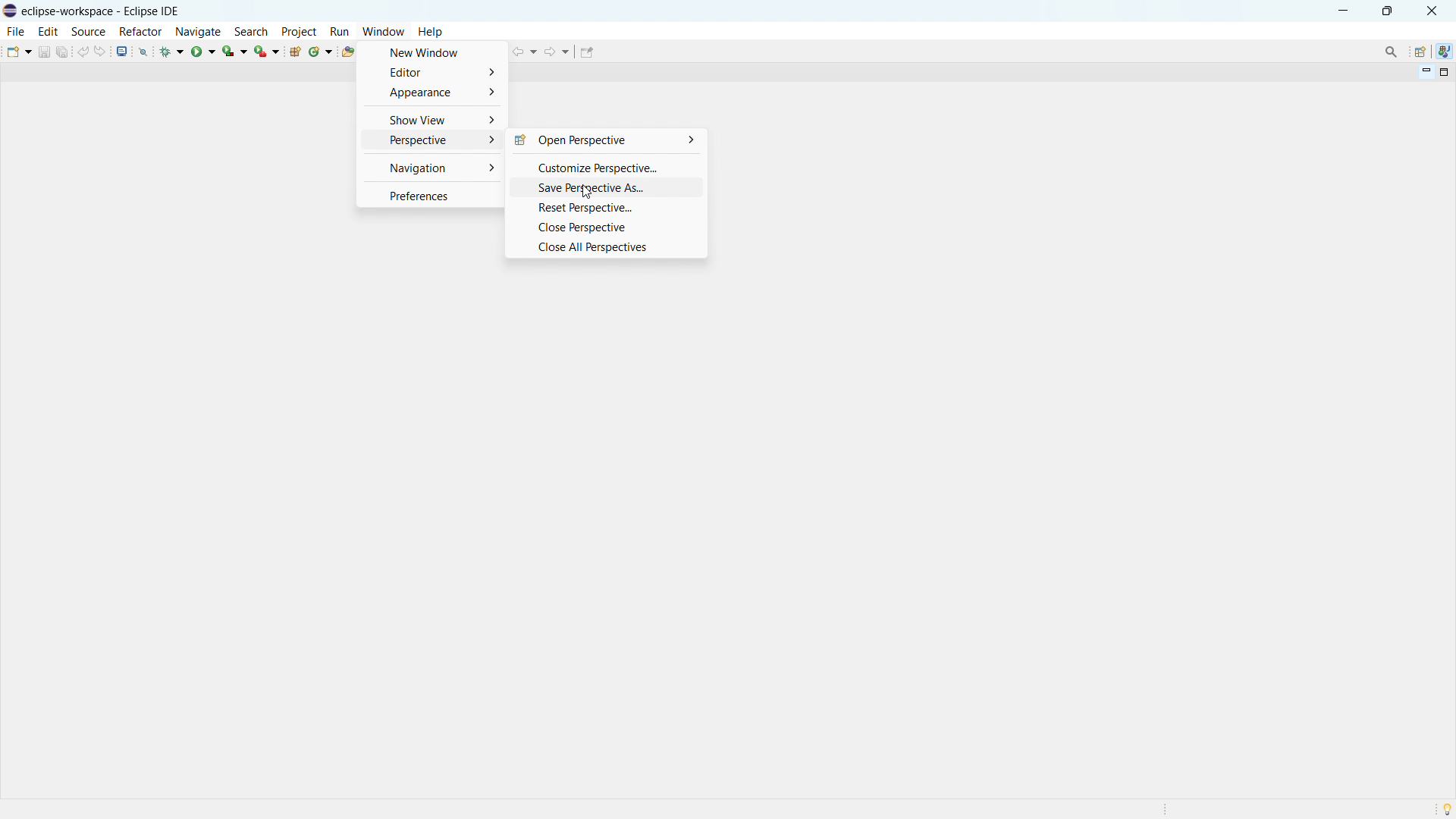 This screenshot has width=1456, height=819. Describe the element at coordinates (251, 31) in the screenshot. I see `search` at that location.